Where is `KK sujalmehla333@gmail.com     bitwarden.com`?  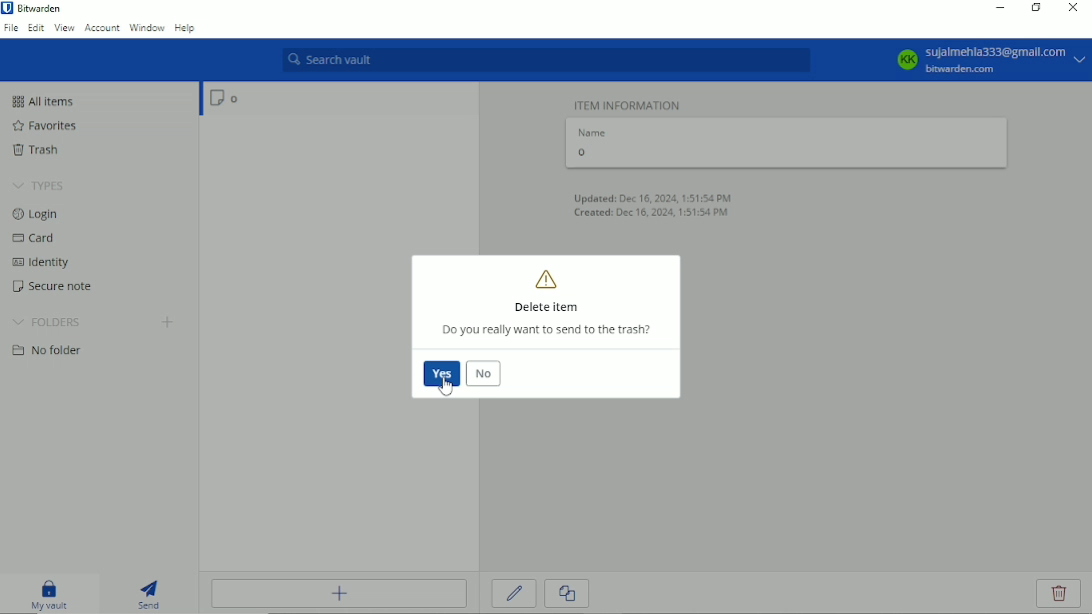 KK sujalmehla333@gmail.com     bitwarden.com is located at coordinates (989, 60).